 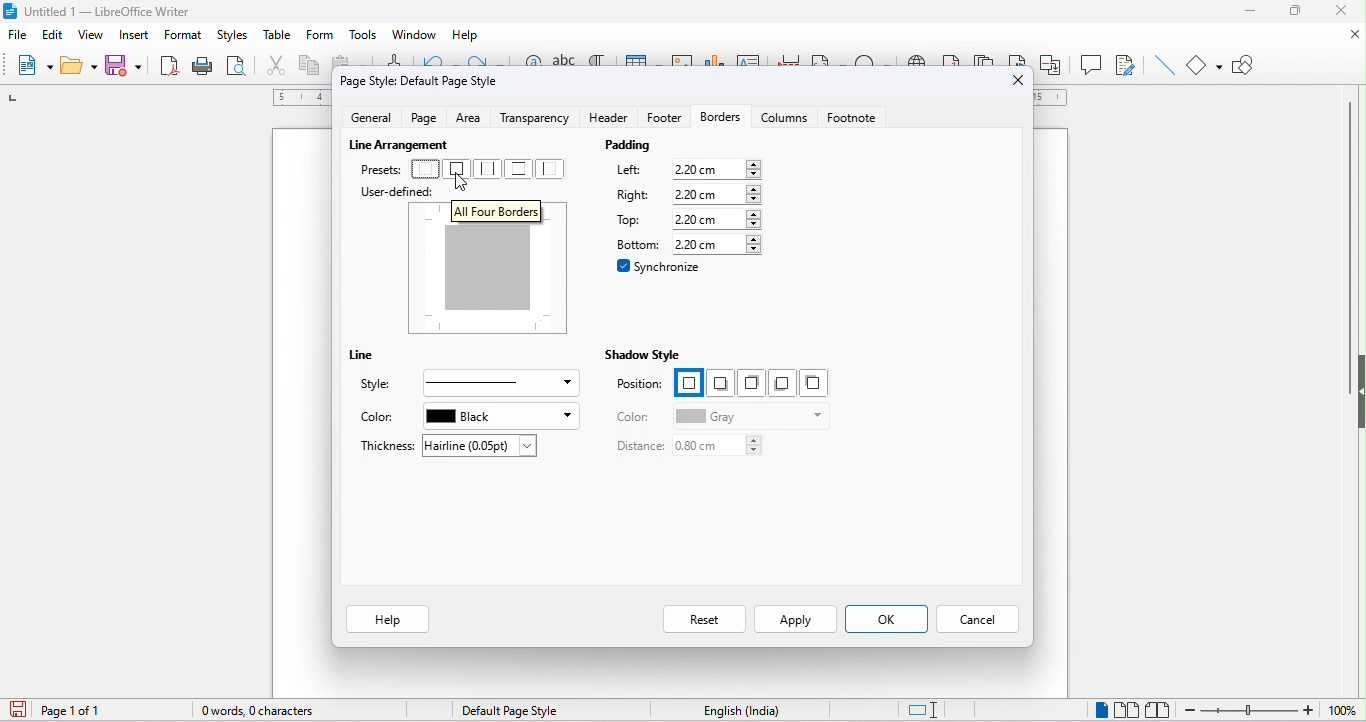 What do you see at coordinates (465, 35) in the screenshot?
I see `help` at bounding box center [465, 35].